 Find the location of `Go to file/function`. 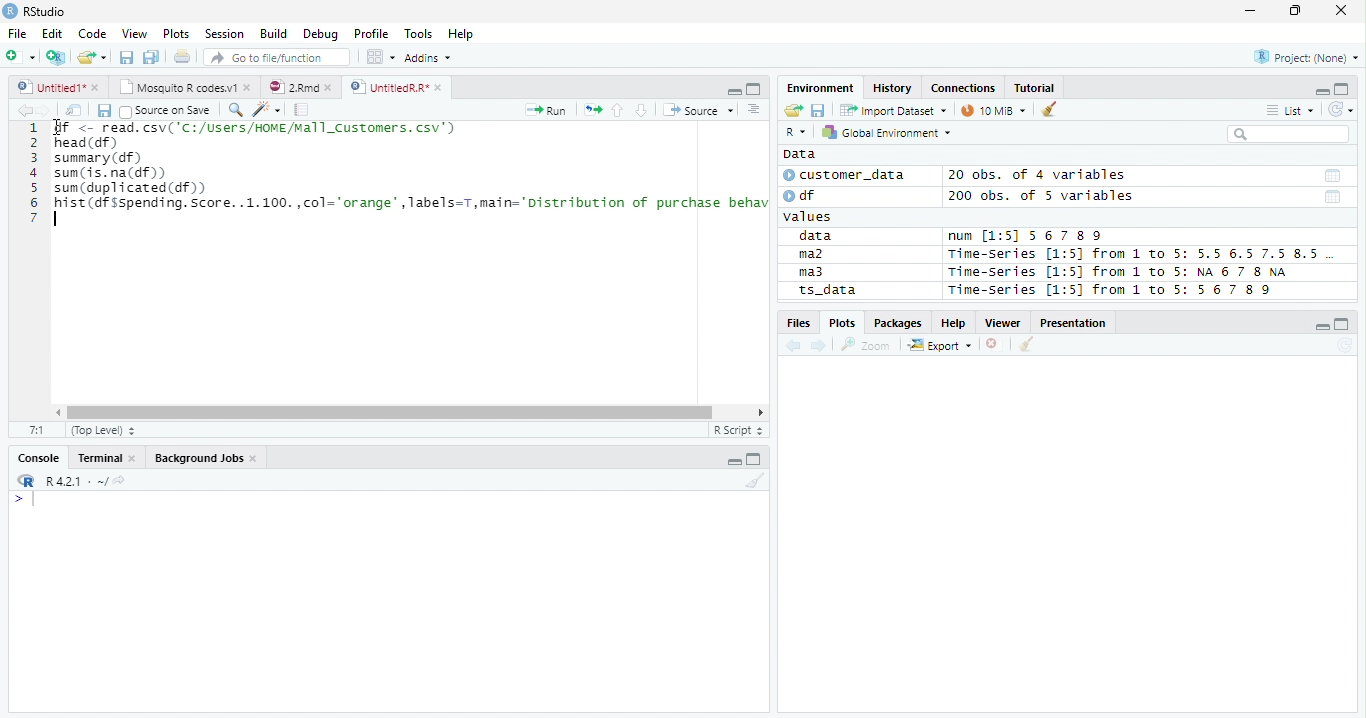

Go to file/function is located at coordinates (274, 58).